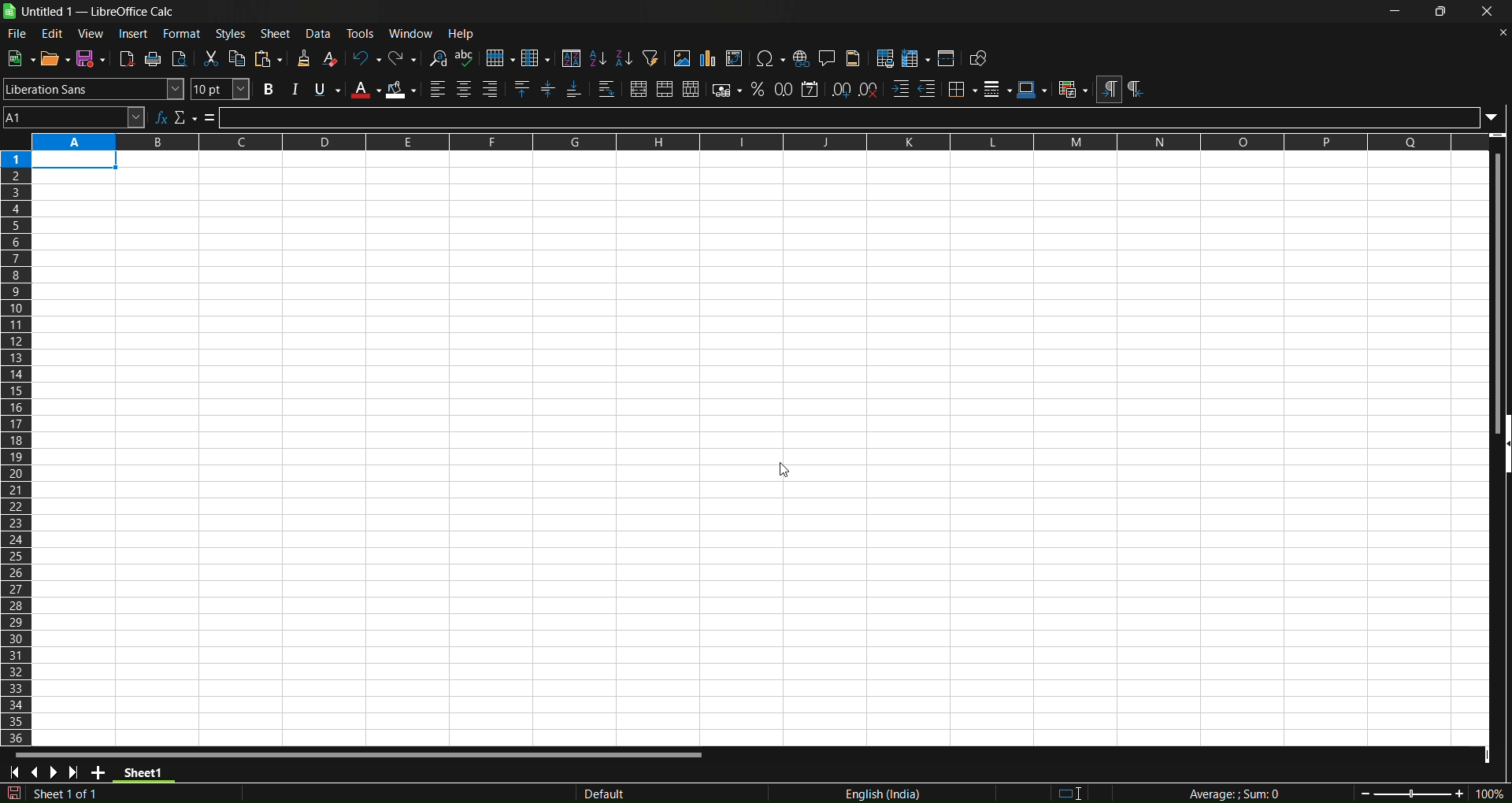 The height and width of the screenshot is (803, 1512). I want to click on select function, so click(185, 117).